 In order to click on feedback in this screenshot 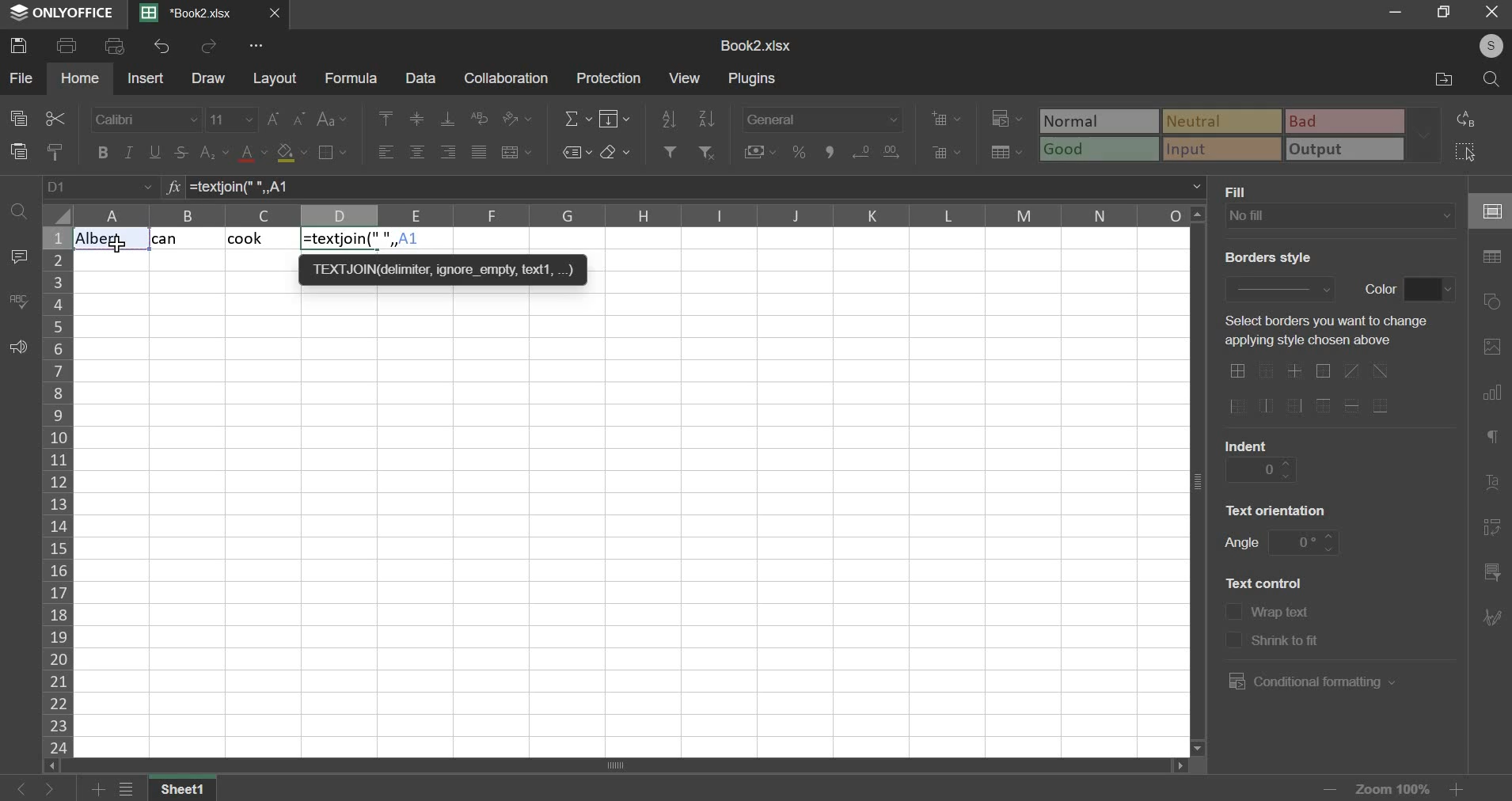, I will do `click(18, 348)`.